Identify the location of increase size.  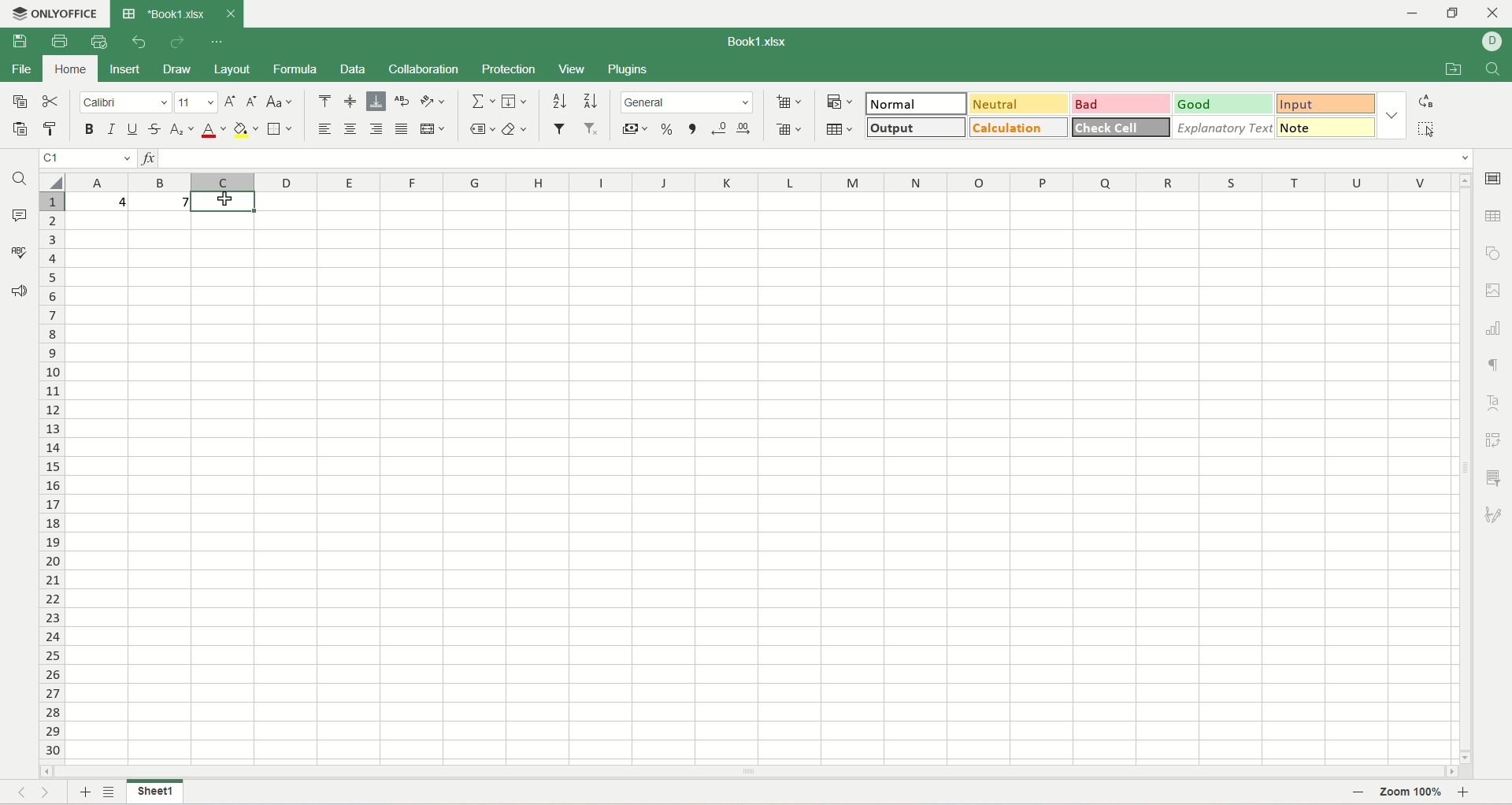
(232, 102).